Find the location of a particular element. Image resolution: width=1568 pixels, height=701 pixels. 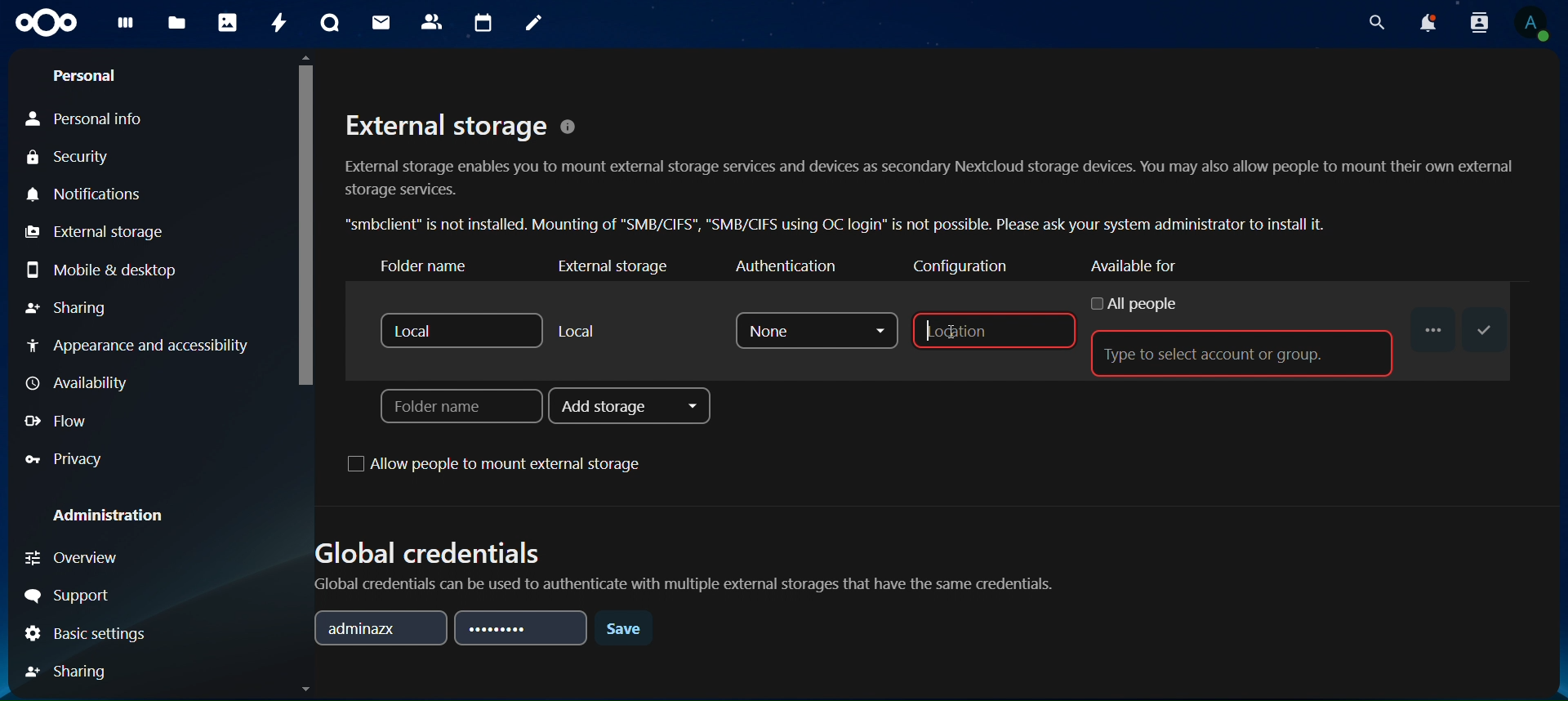

mobile & desktop is located at coordinates (101, 269).